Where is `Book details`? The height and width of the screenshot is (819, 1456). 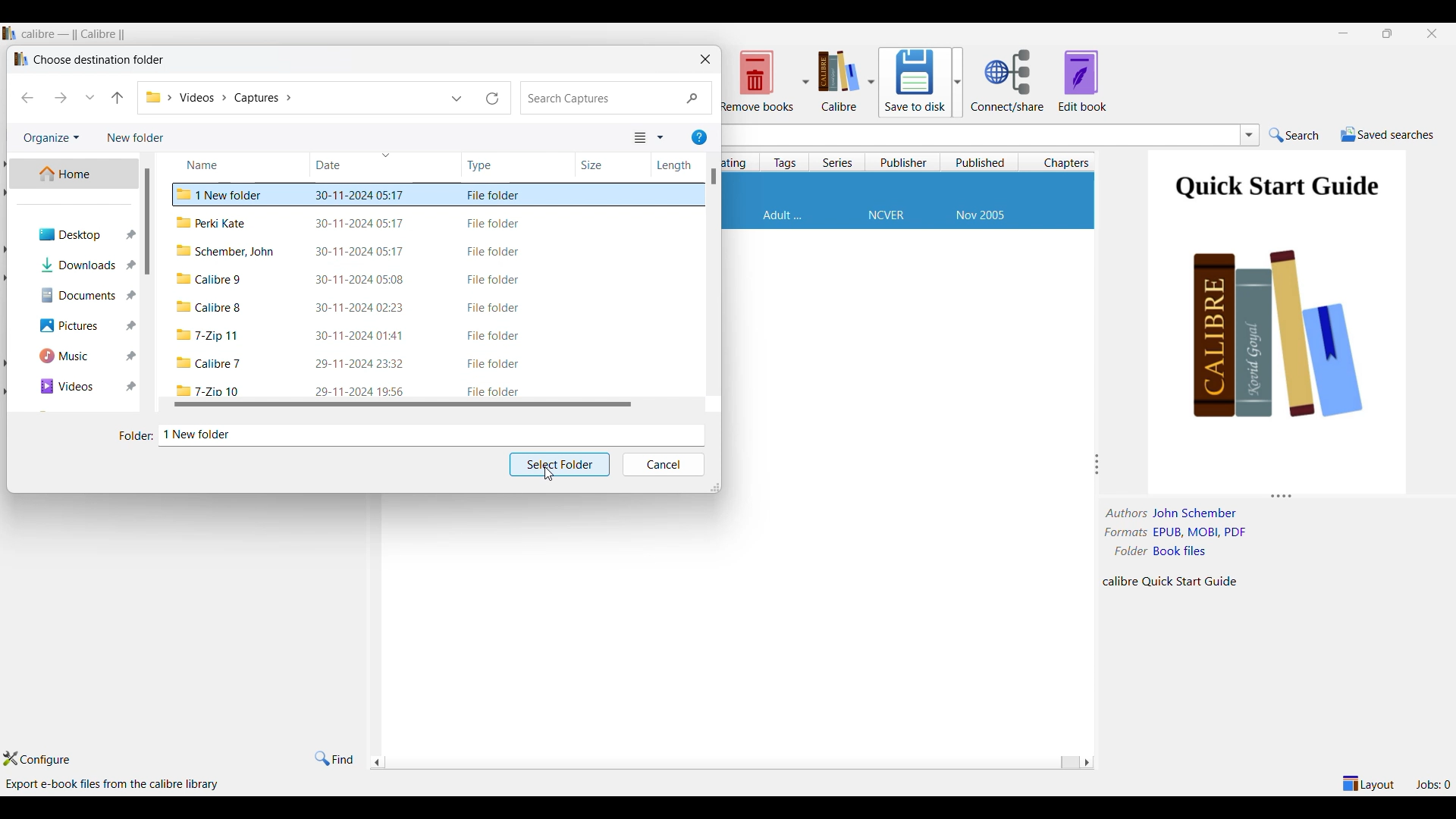 Book details is located at coordinates (1181, 548).